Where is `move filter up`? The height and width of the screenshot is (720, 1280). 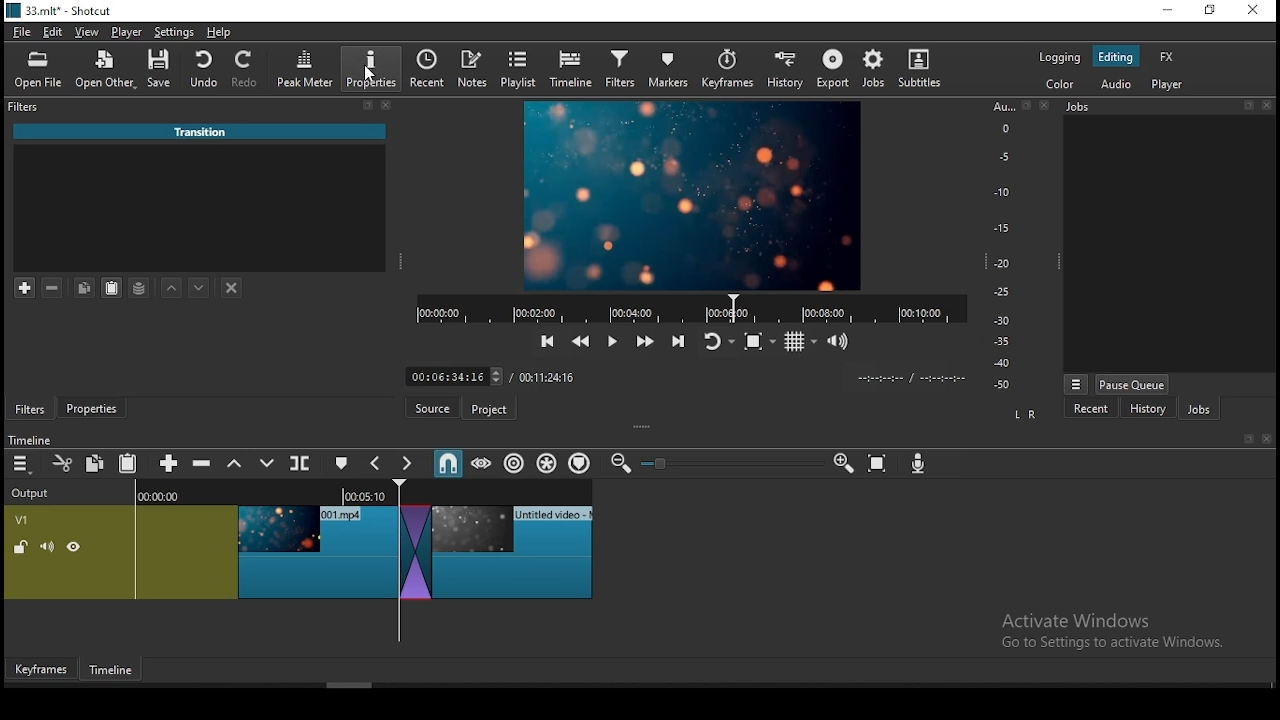 move filter up is located at coordinates (174, 288).